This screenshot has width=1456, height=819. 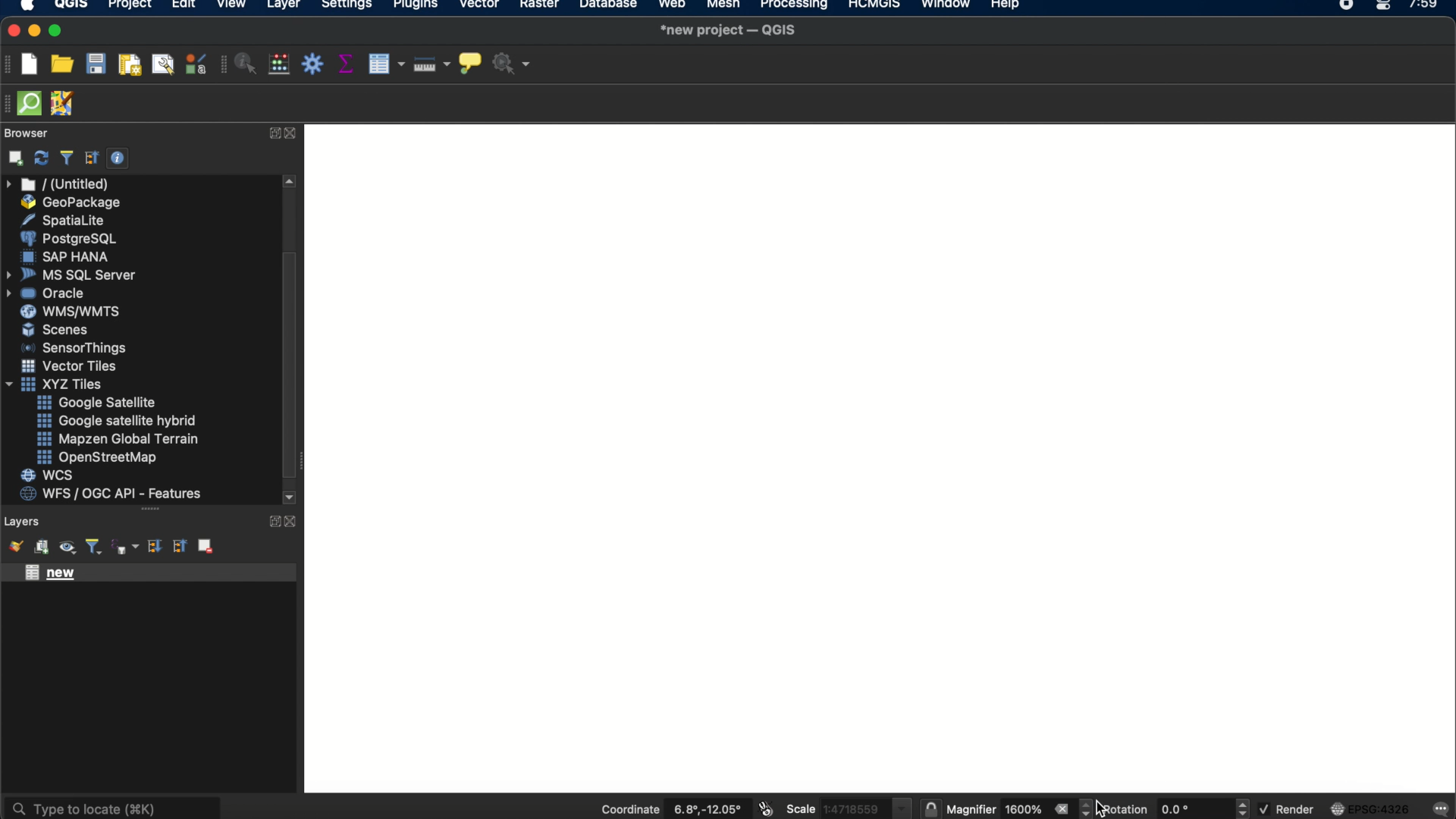 I want to click on edit, so click(x=184, y=6).